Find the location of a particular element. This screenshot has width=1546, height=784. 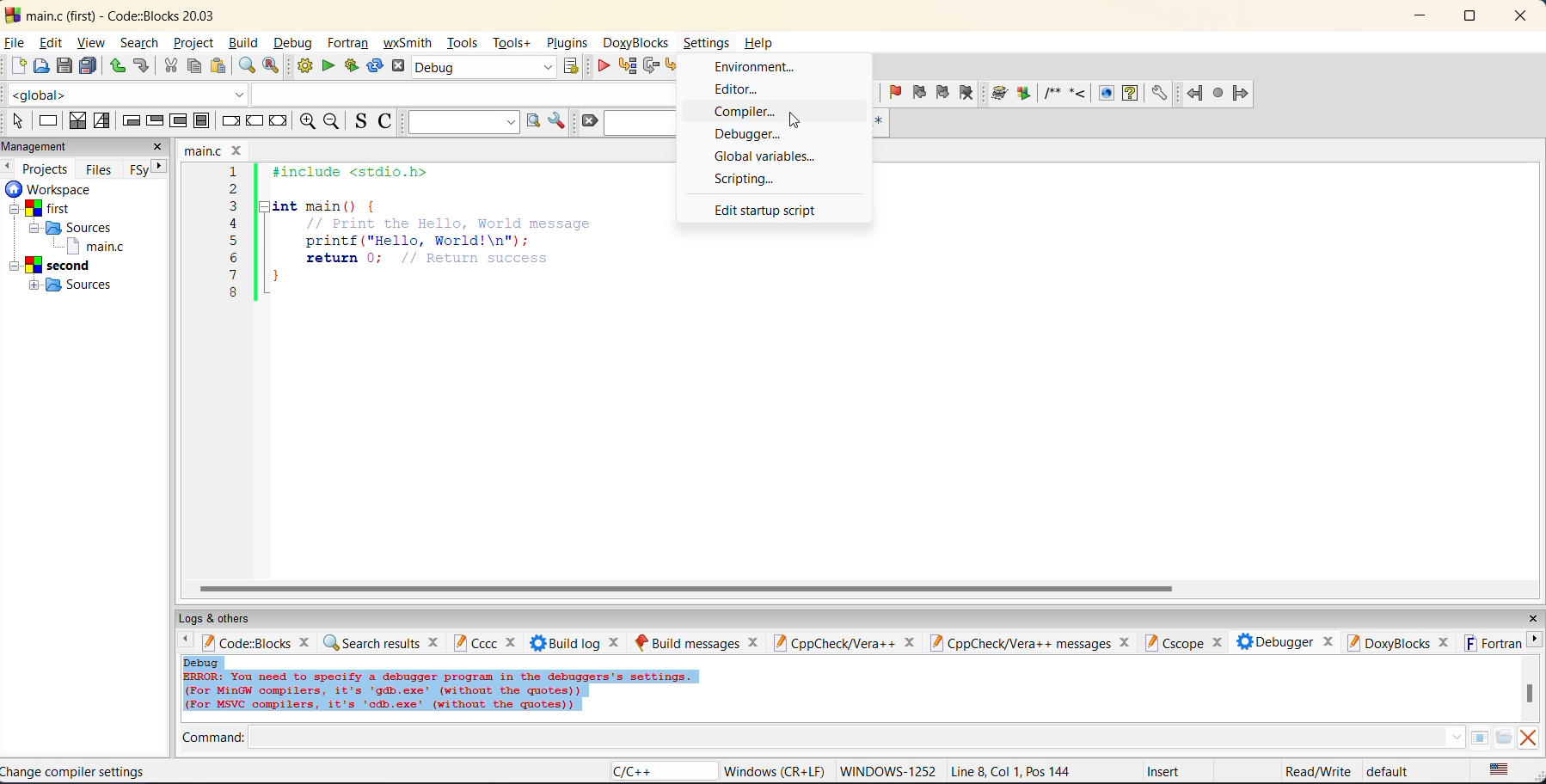

management is located at coordinates (41, 146).